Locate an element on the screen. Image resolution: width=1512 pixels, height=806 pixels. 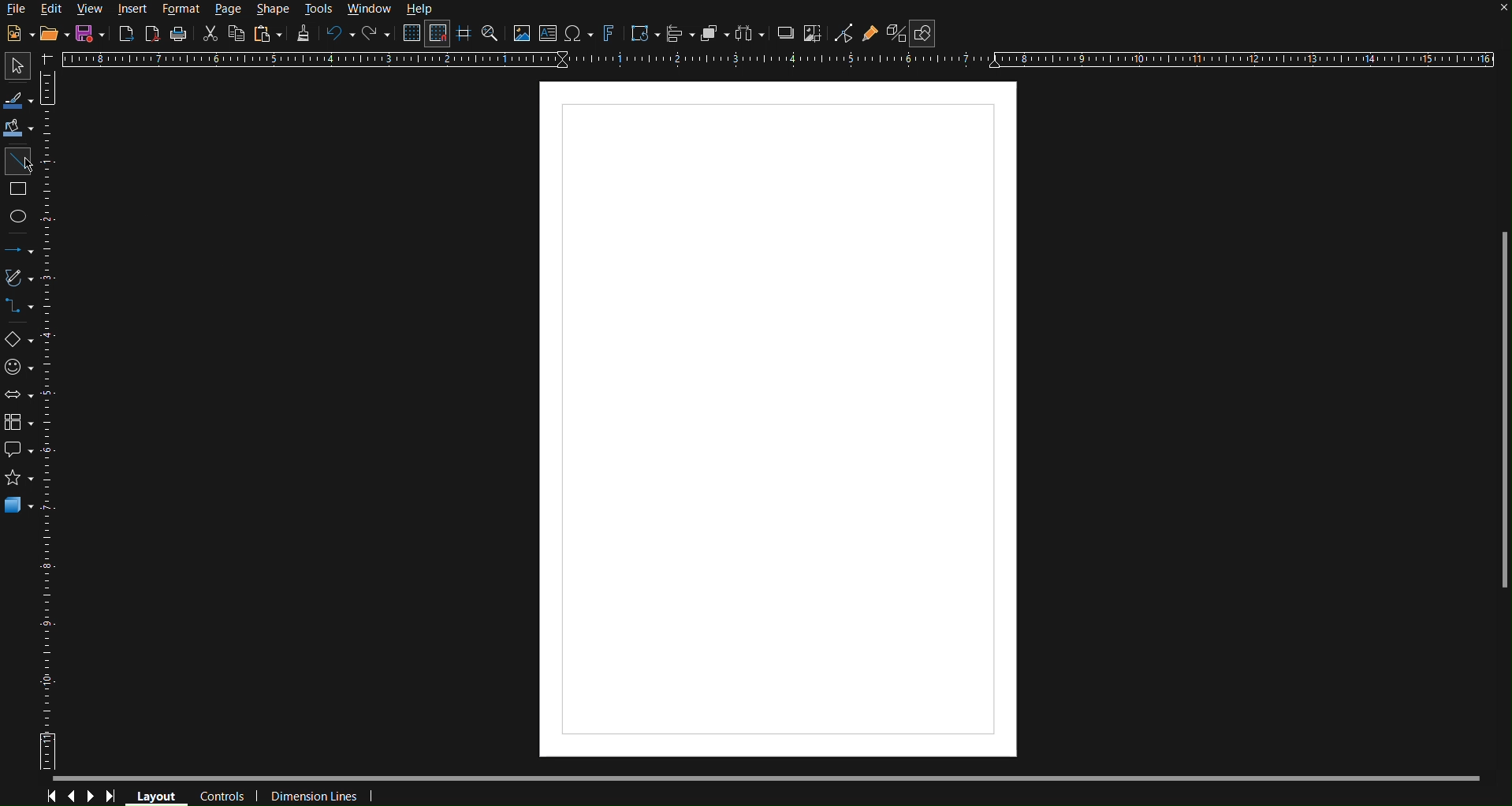
Snap to Grid is located at coordinates (438, 34).